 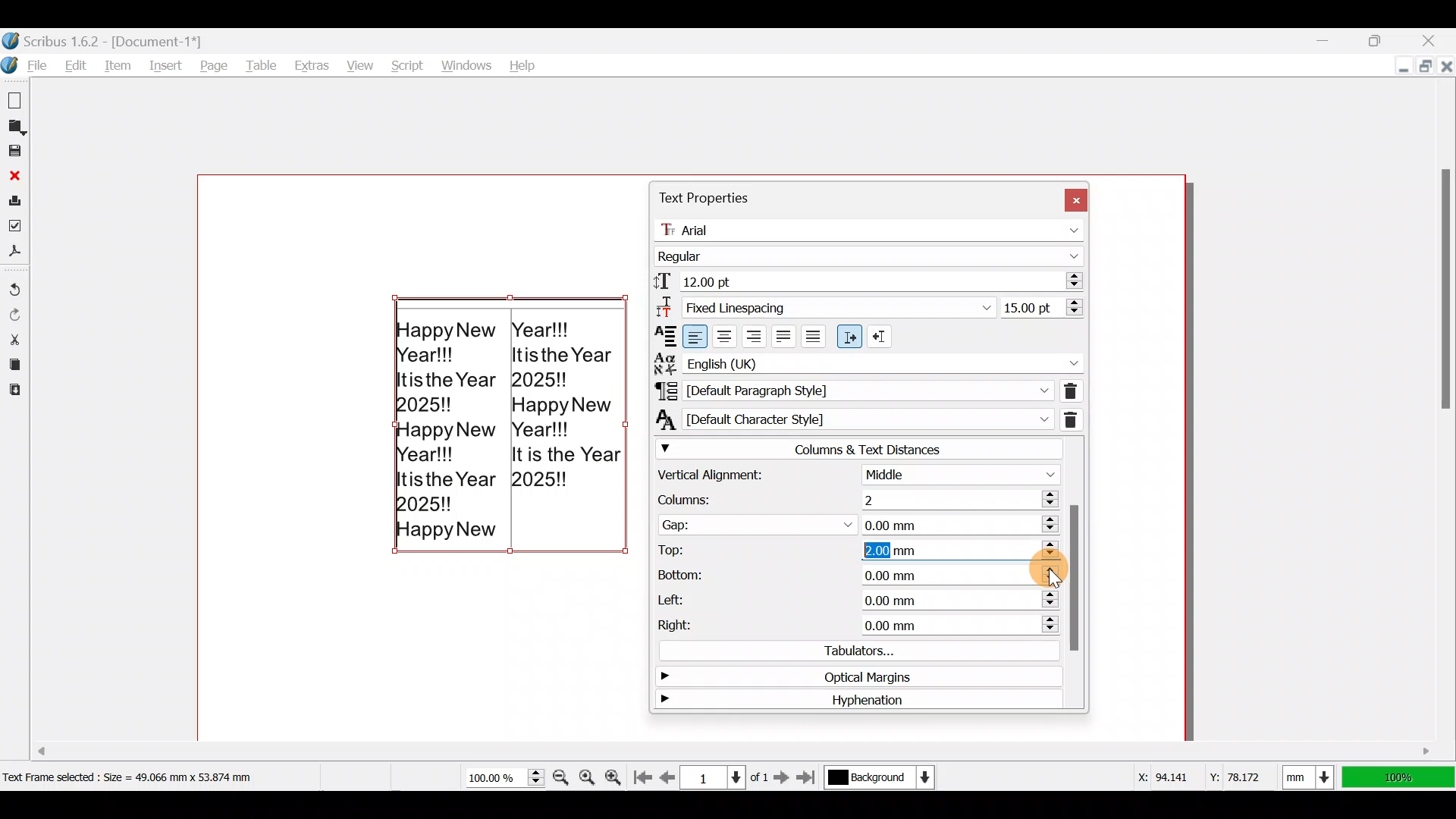 I want to click on Insert, so click(x=168, y=66).